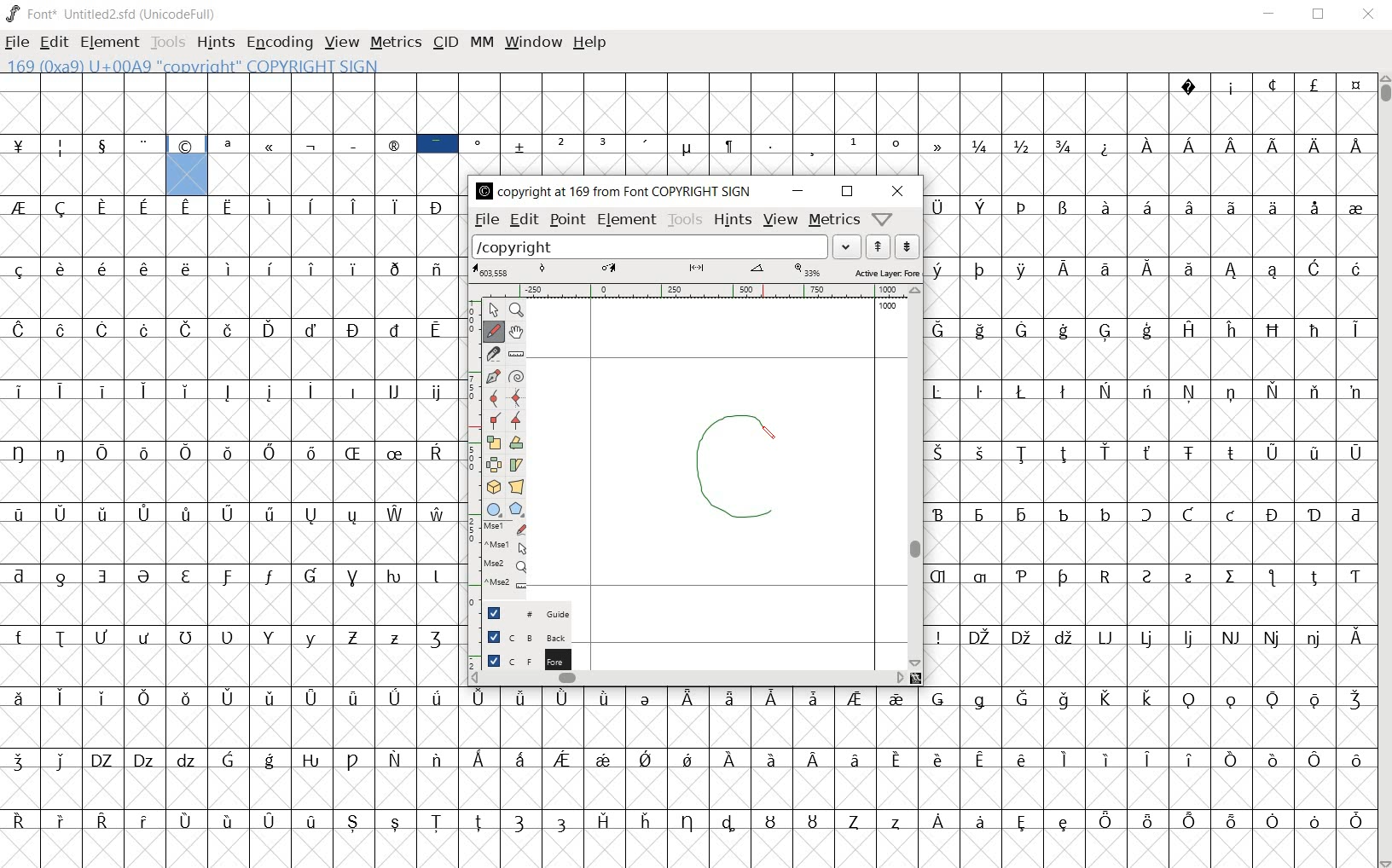 Image resolution: width=1392 pixels, height=868 pixels. Describe the element at coordinates (1150, 438) in the screenshot. I see `glyph characters` at that location.